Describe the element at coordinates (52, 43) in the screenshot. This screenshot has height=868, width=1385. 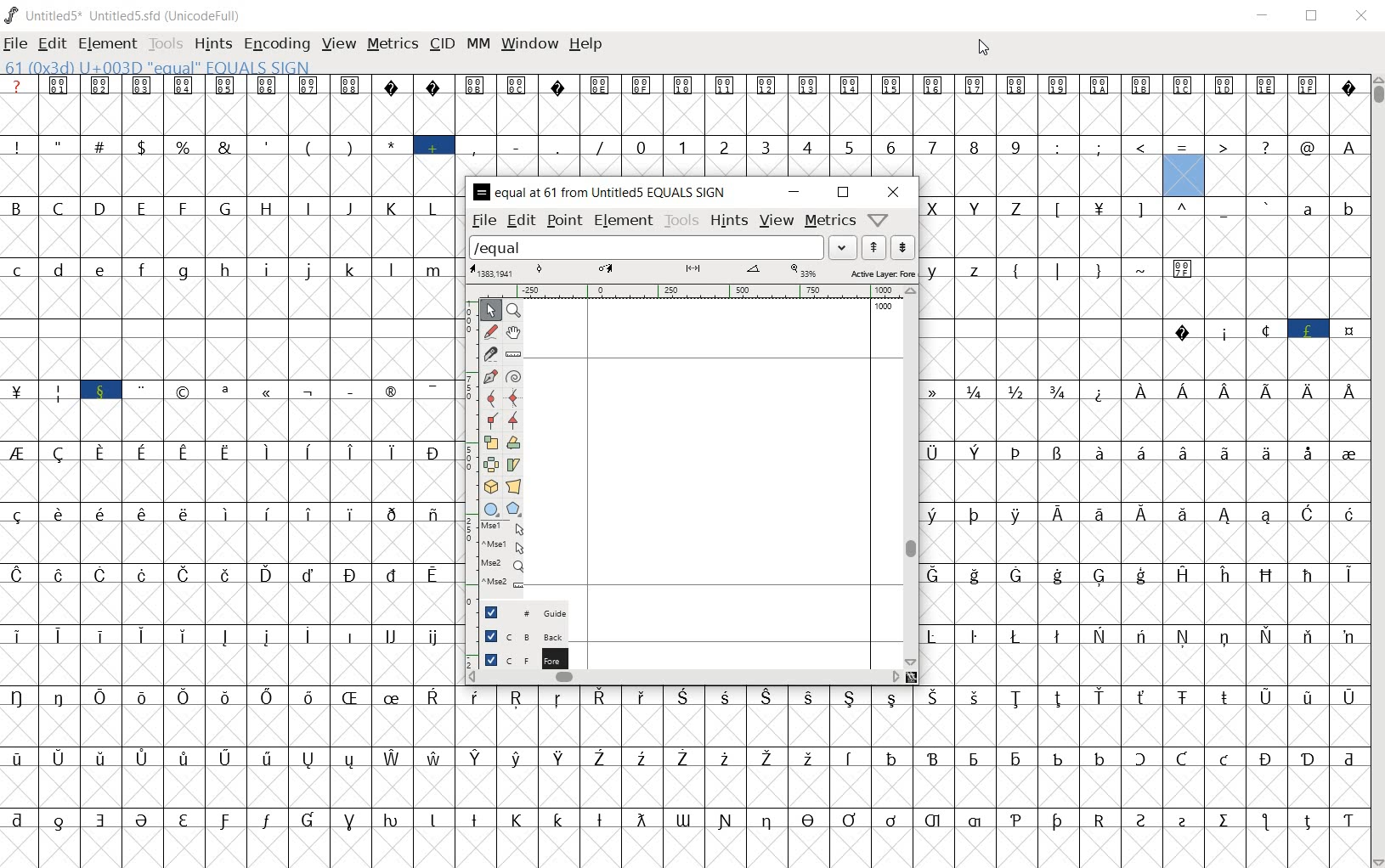
I see `edit` at that location.